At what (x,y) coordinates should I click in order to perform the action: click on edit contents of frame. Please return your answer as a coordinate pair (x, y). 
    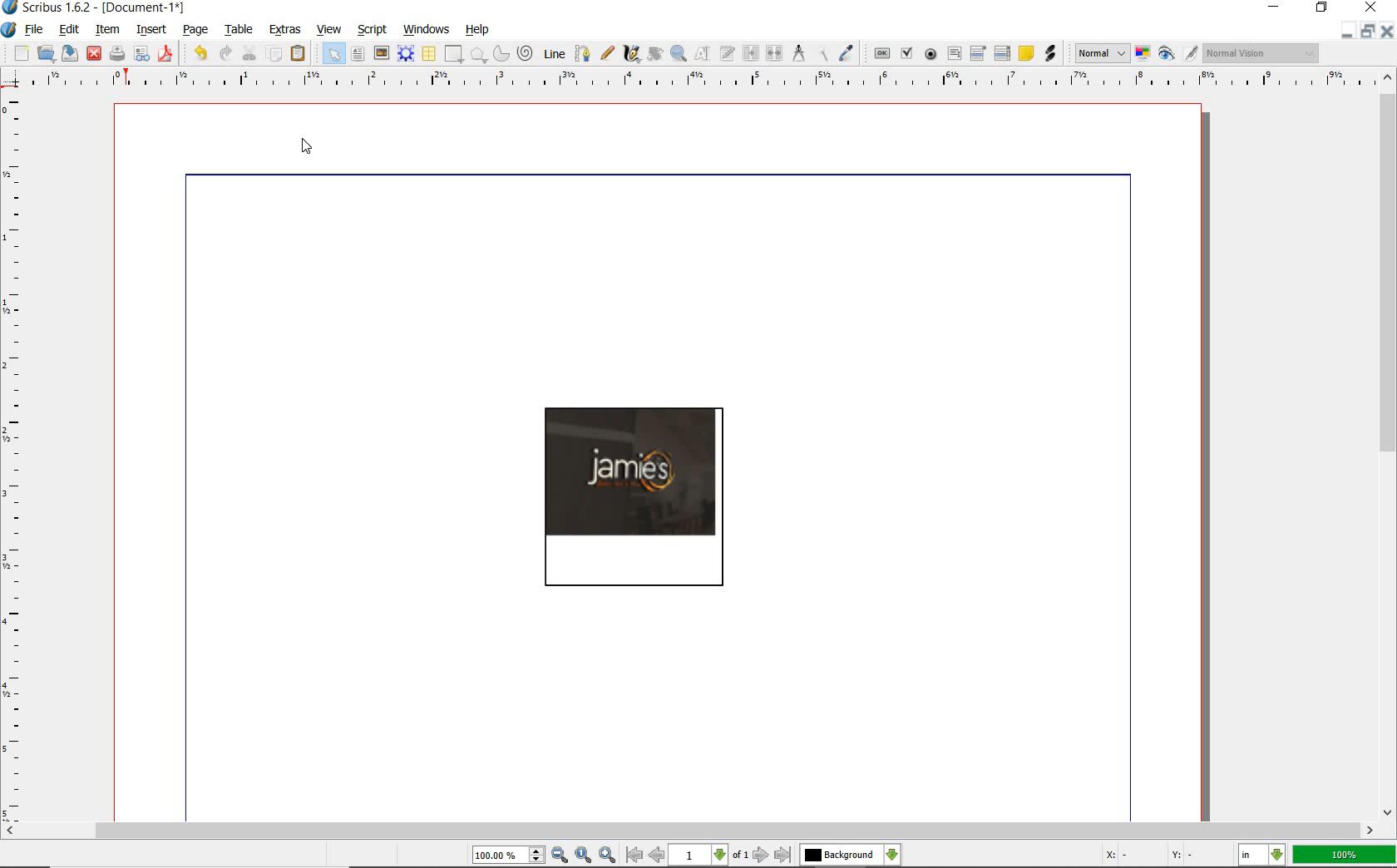
    Looking at the image, I should click on (654, 54).